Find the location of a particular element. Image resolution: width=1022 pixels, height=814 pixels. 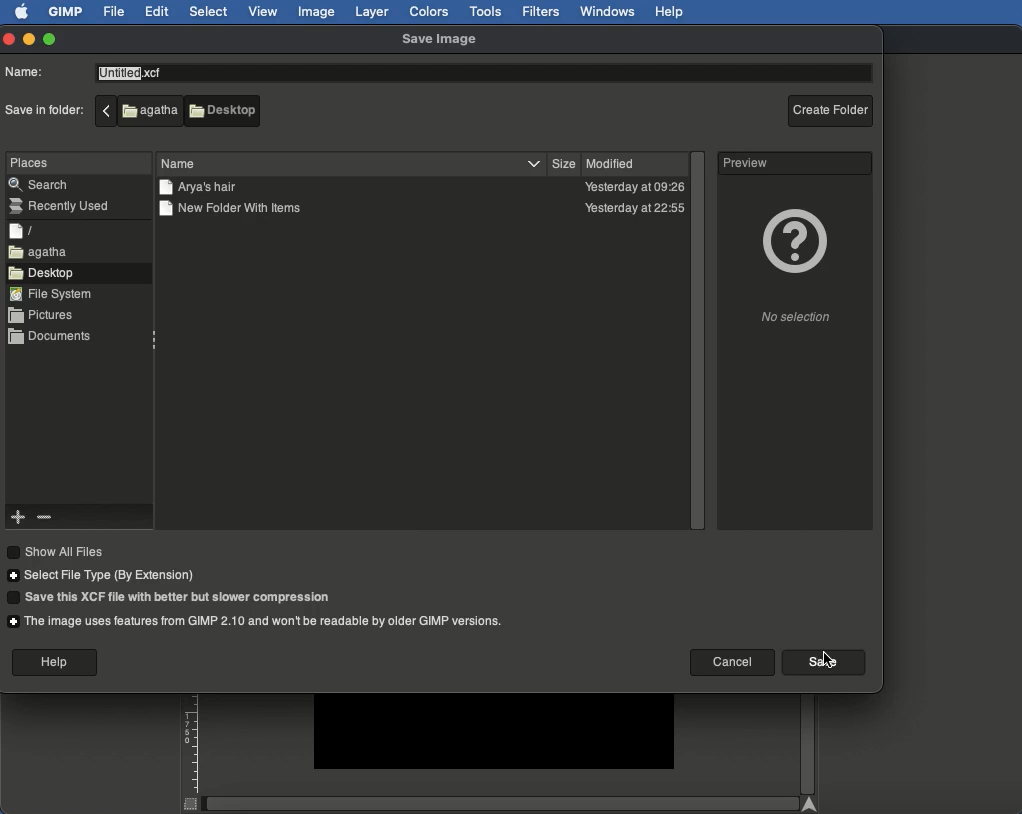

Windows is located at coordinates (608, 12).